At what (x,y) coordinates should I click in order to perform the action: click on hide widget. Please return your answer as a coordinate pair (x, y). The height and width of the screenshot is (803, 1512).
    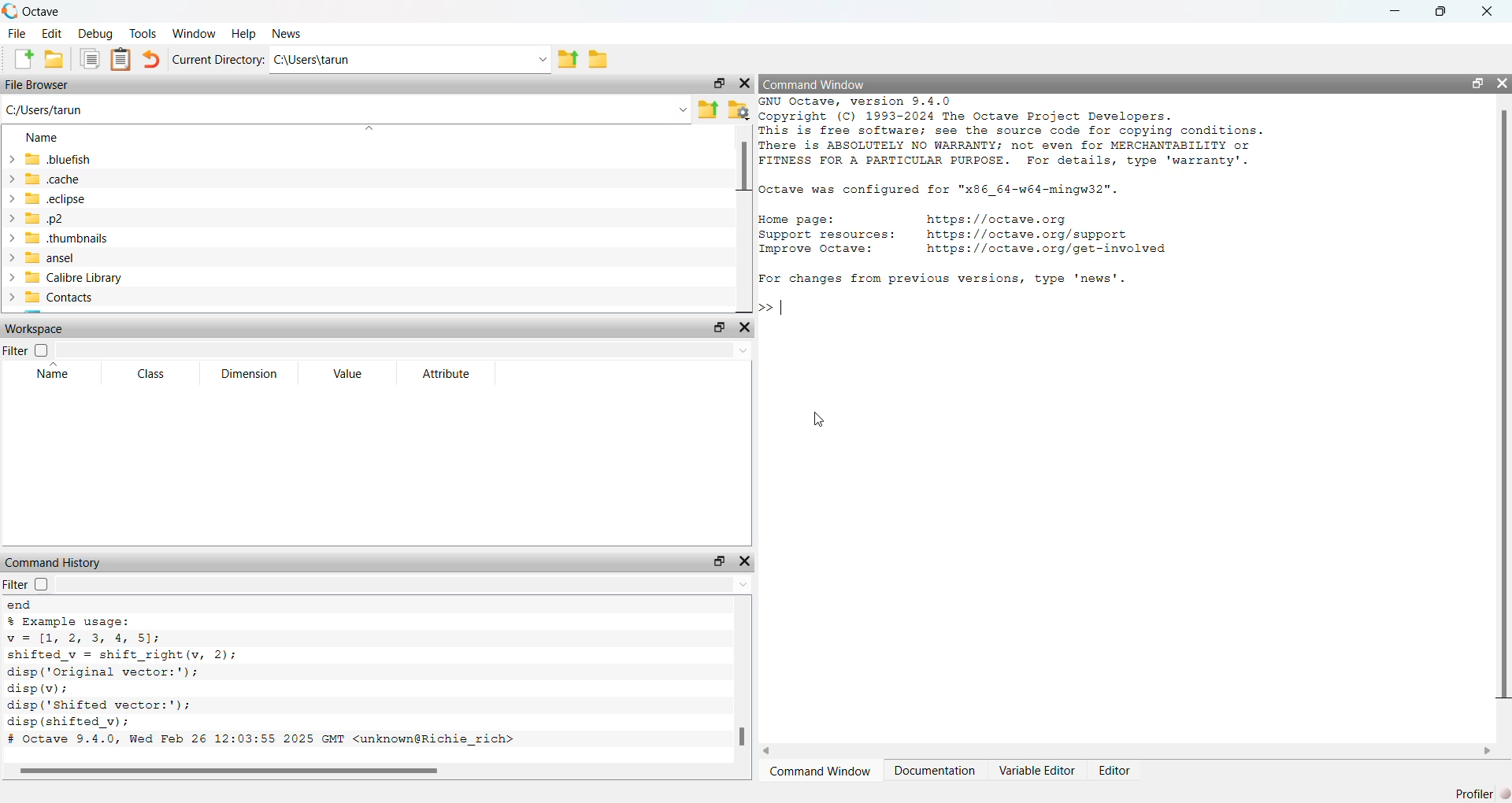
    Looking at the image, I should click on (747, 561).